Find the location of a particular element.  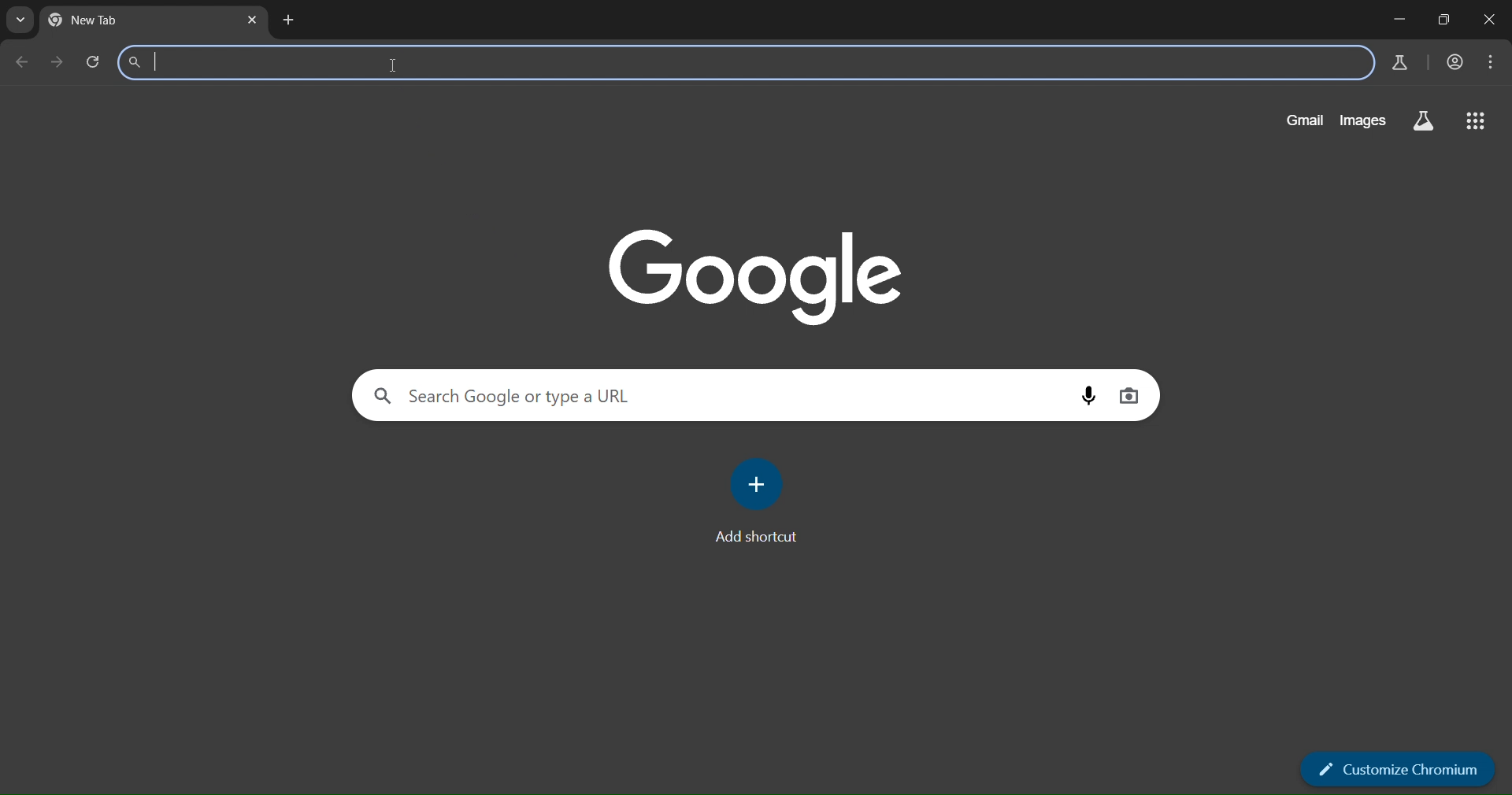

close is located at coordinates (1491, 21).